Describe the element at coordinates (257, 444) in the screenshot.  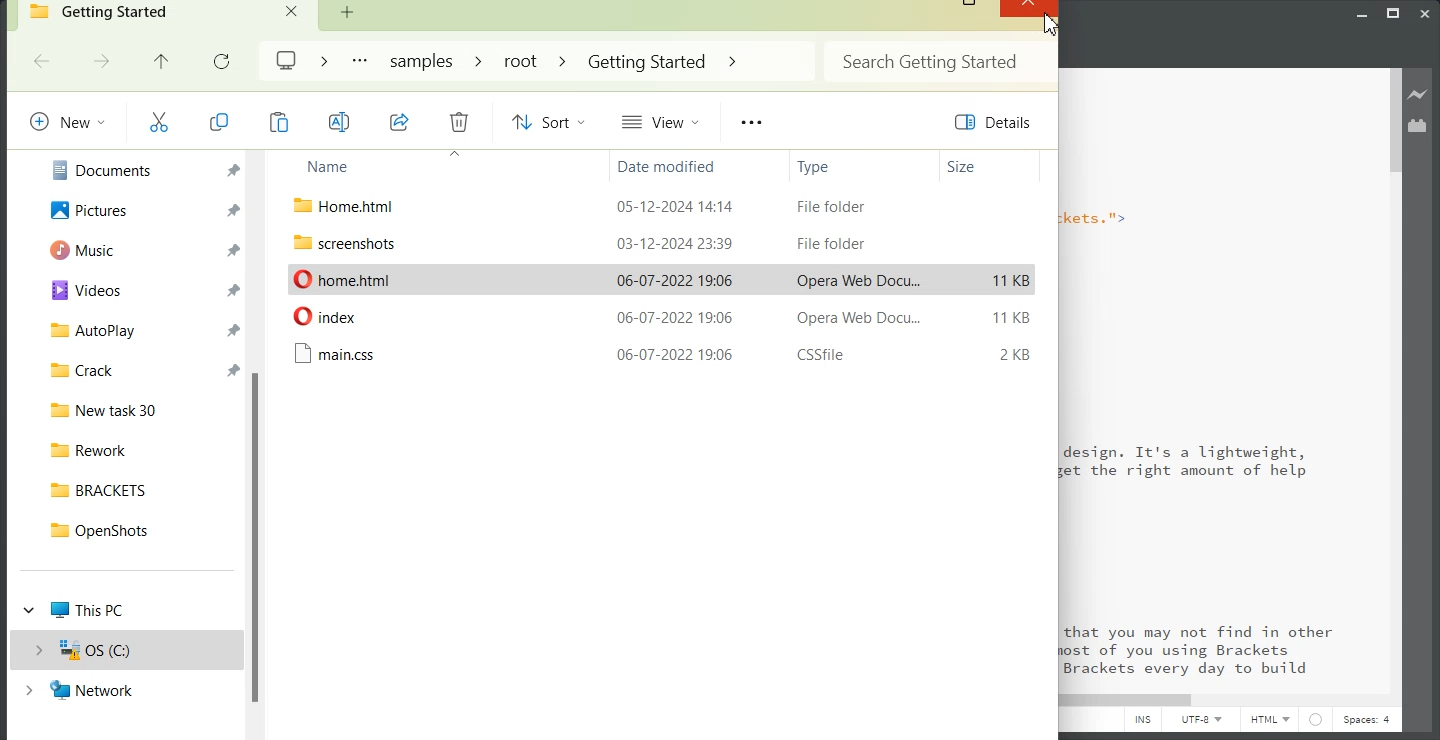
I see `Vertical scroll bar` at that location.